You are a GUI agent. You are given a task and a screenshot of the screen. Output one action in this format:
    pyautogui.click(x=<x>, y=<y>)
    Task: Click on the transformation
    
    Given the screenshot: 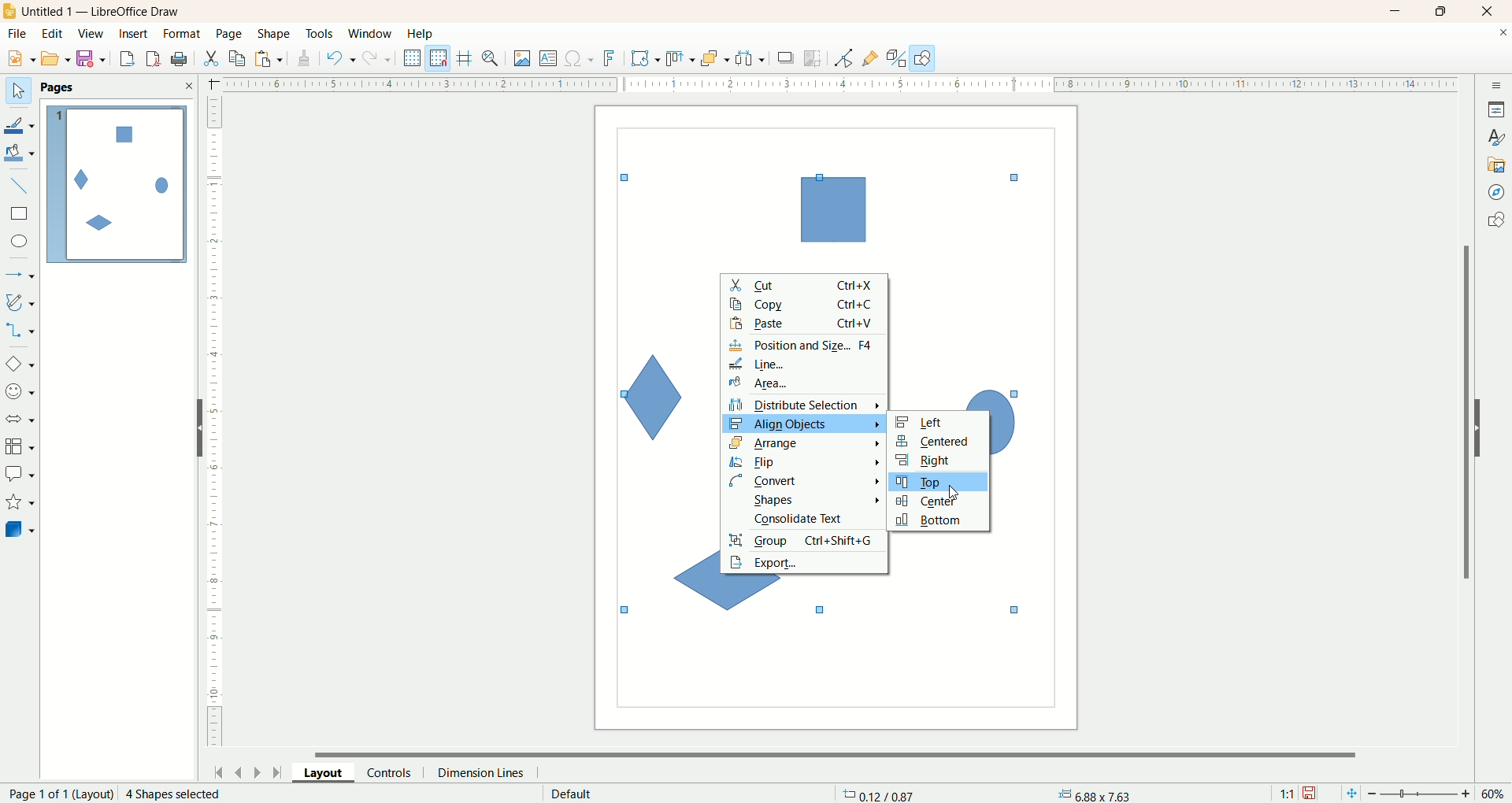 What is the action you would take?
    pyautogui.click(x=646, y=59)
    